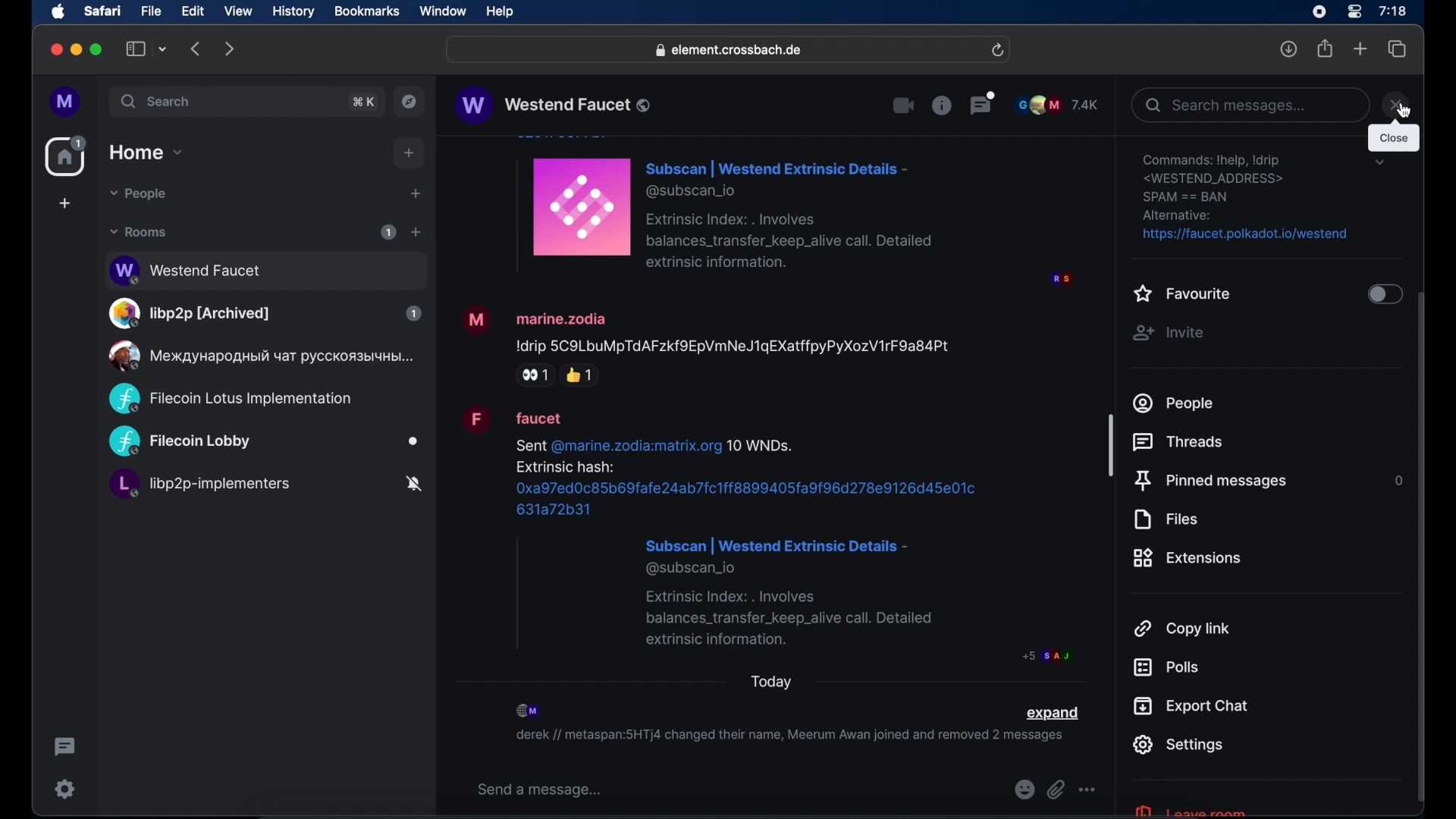 This screenshot has width=1456, height=819. What do you see at coordinates (146, 152) in the screenshot?
I see `home dropdown` at bounding box center [146, 152].